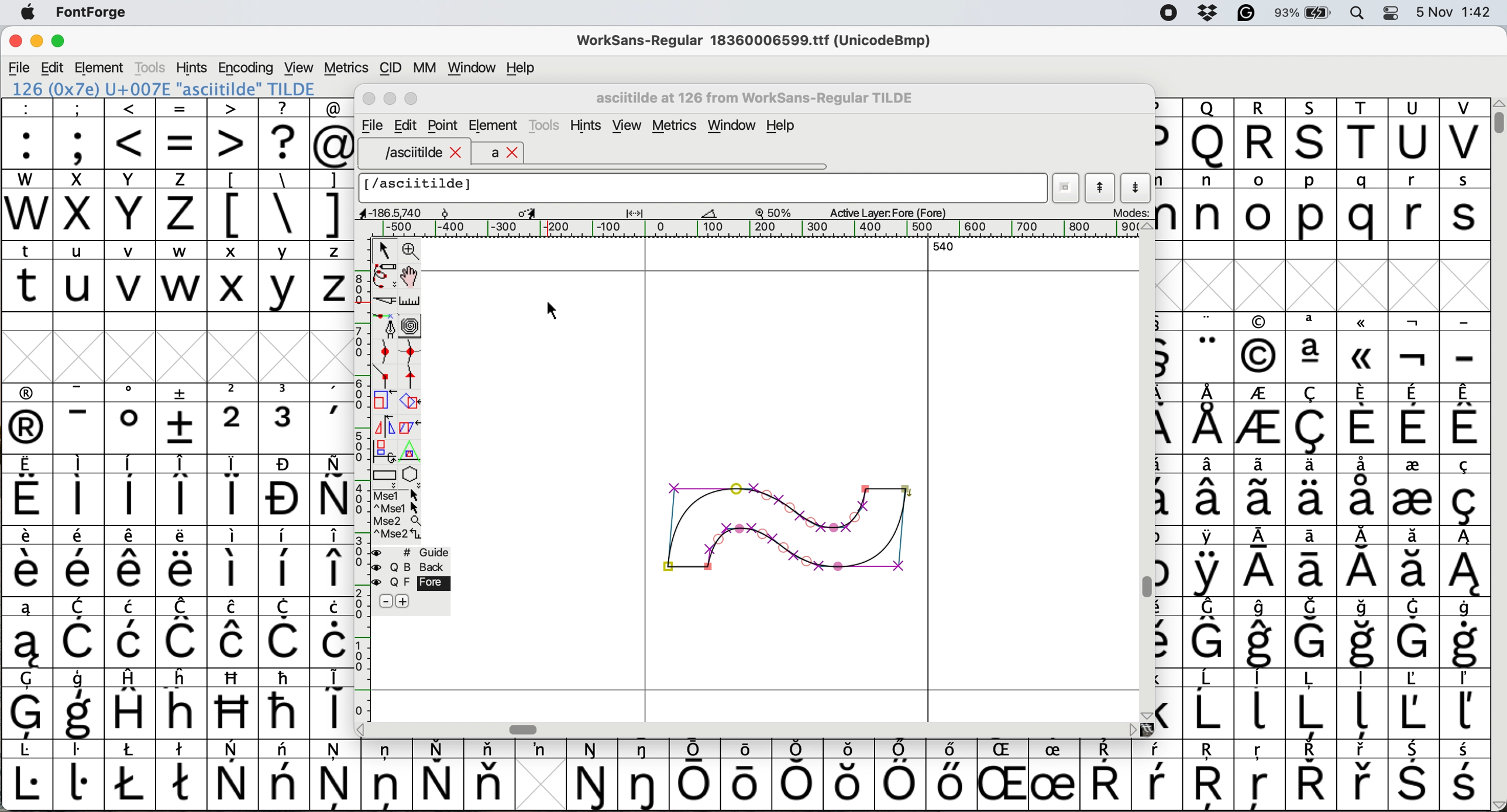 This screenshot has width=1507, height=812. I want to click on symbol, so click(82, 634).